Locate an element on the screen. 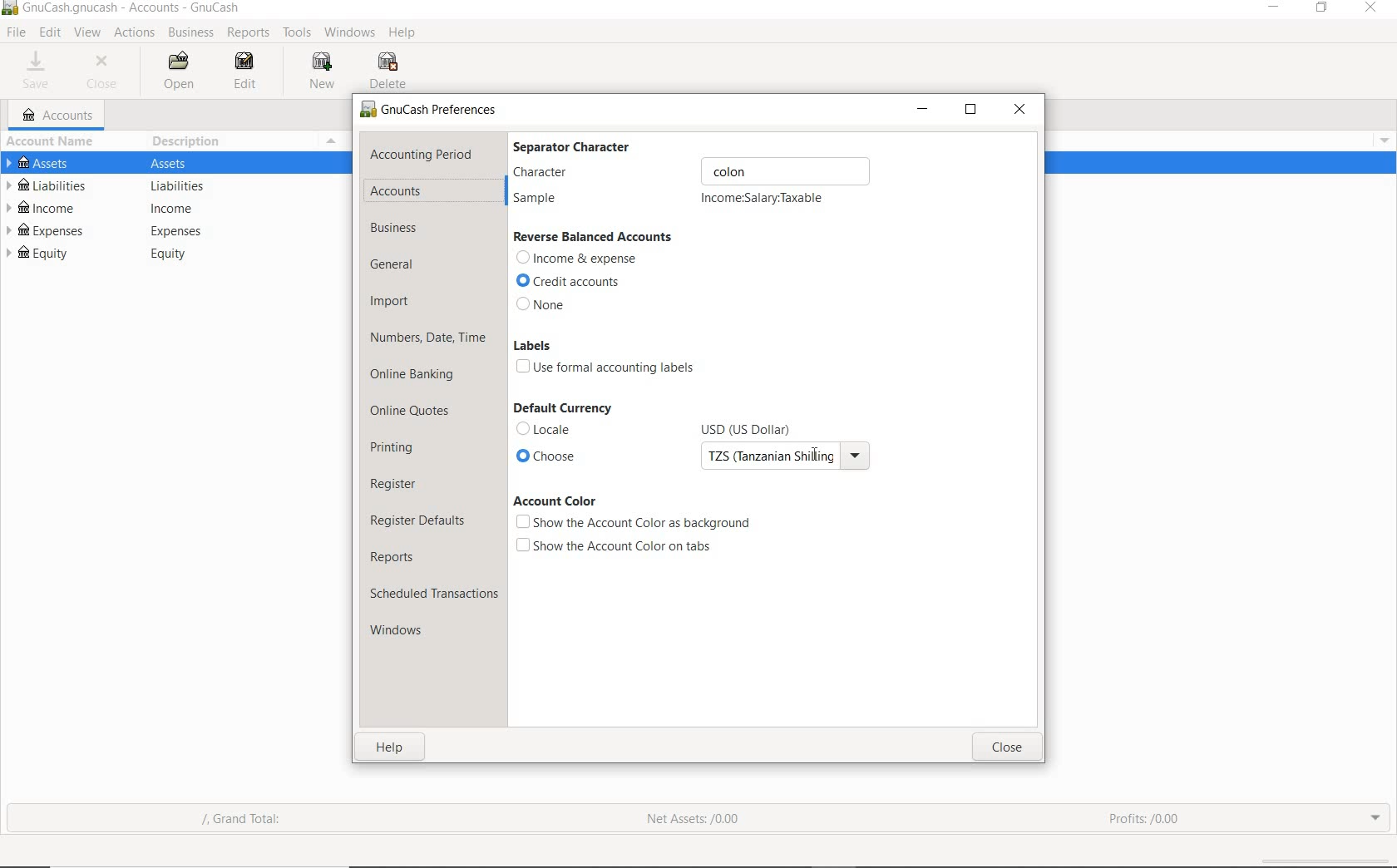  labels is located at coordinates (532, 345).